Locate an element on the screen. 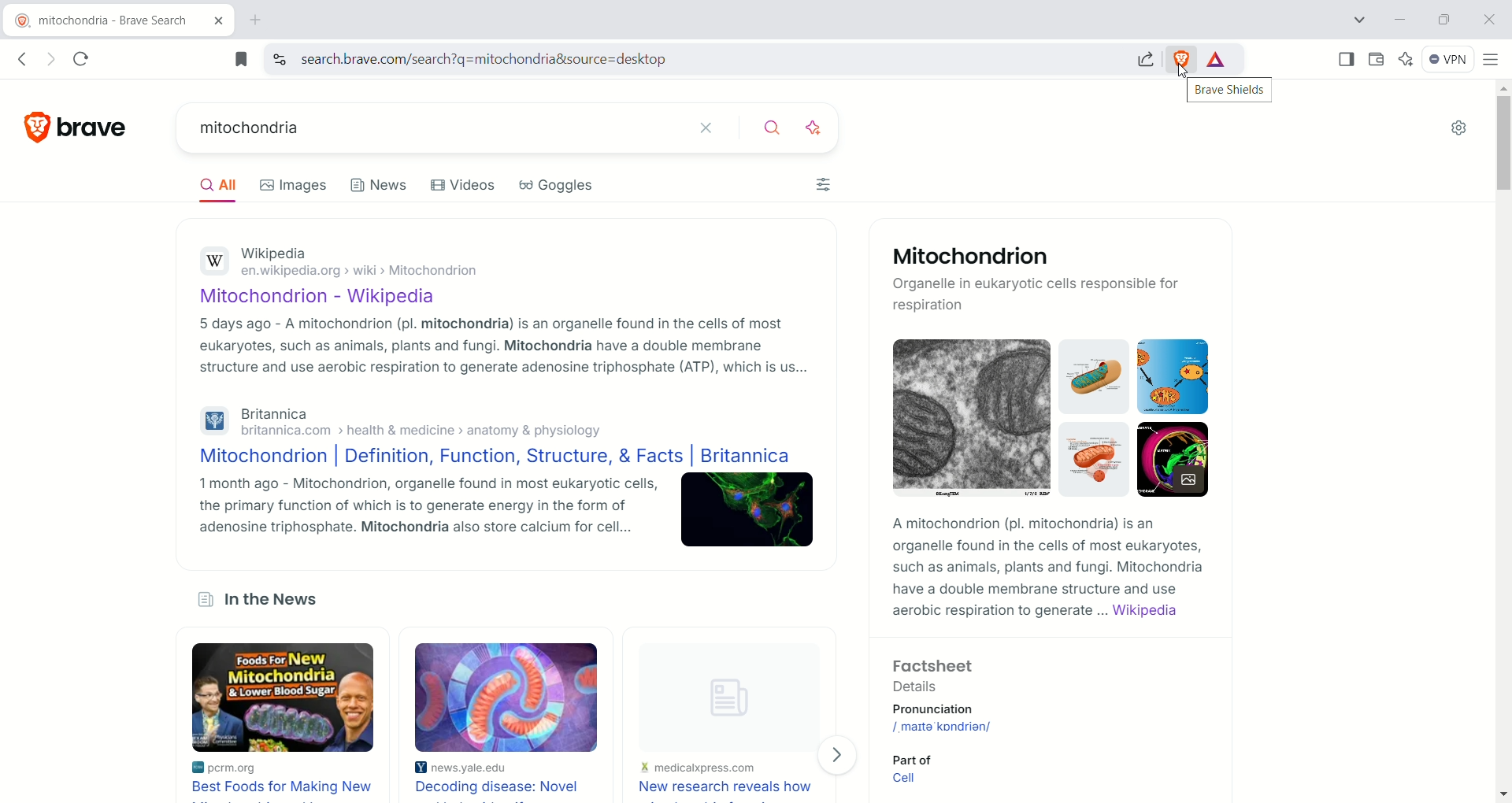 This screenshot has height=803, width=1512. Images is located at coordinates (294, 185).